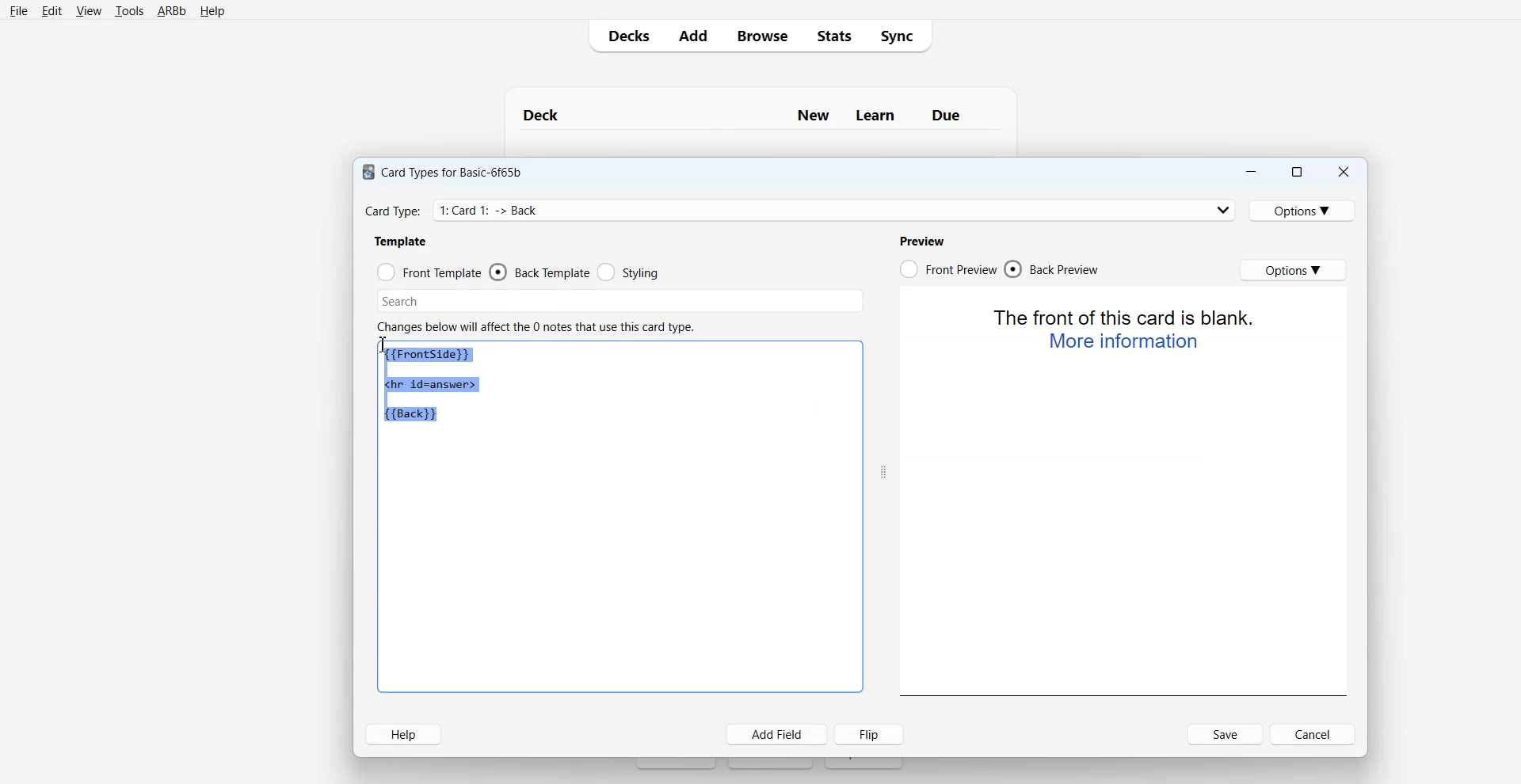 This screenshot has height=784, width=1521. I want to click on Drag handle, so click(883, 472).